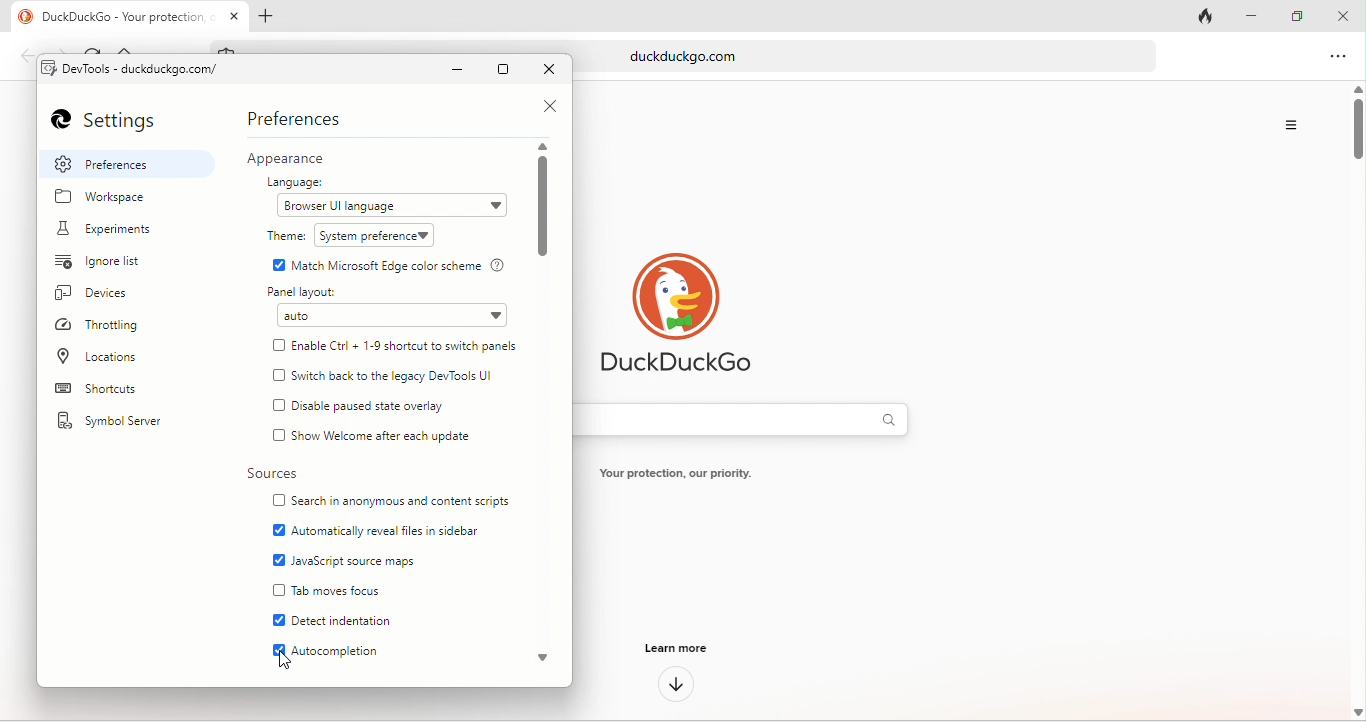 The image size is (1366, 722). What do you see at coordinates (275, 265) in the screenshot?
I see `enable Checkbox` at bounding box center [275, 265].